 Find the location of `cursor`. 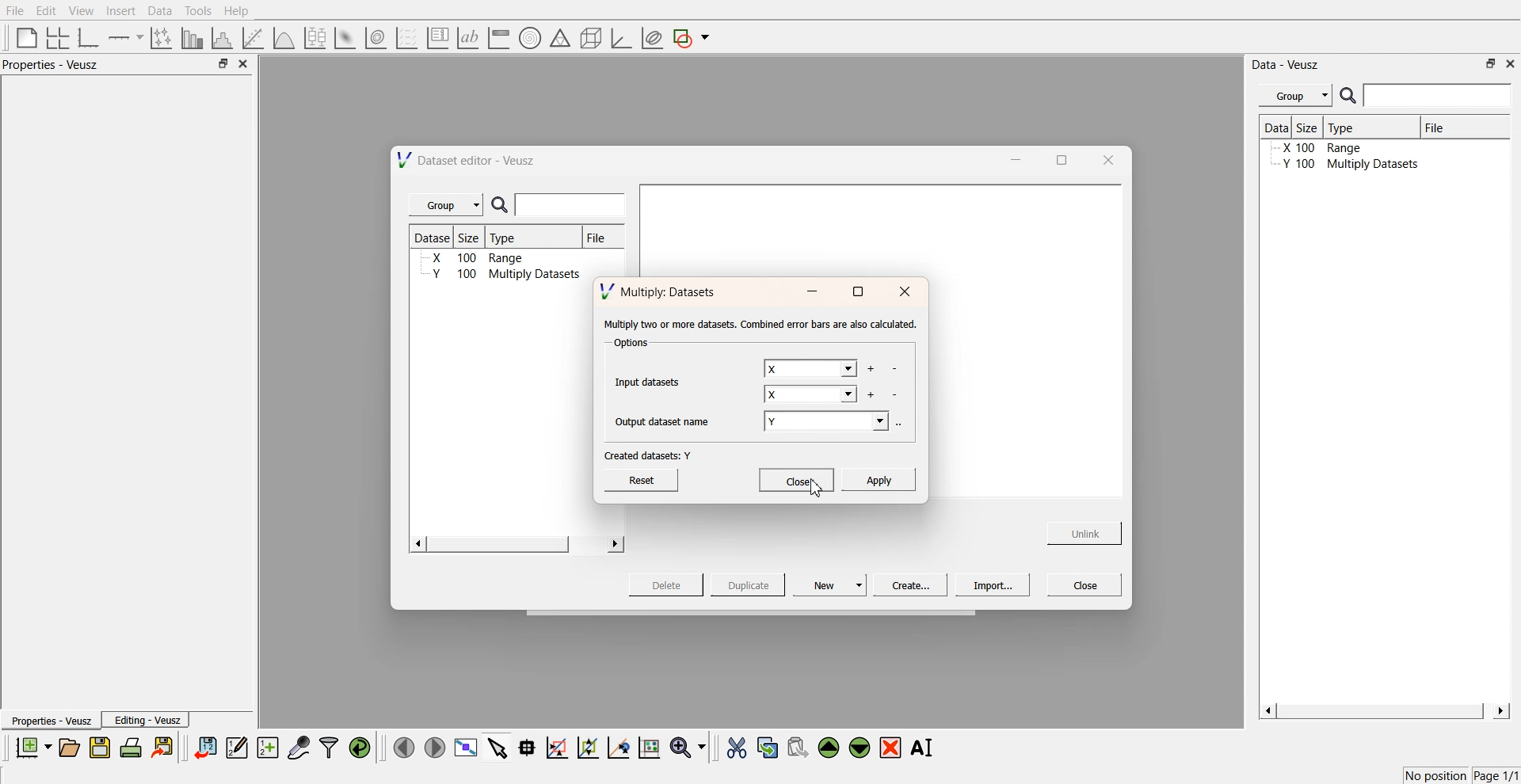

cursor is located at coordinates (813, 493).